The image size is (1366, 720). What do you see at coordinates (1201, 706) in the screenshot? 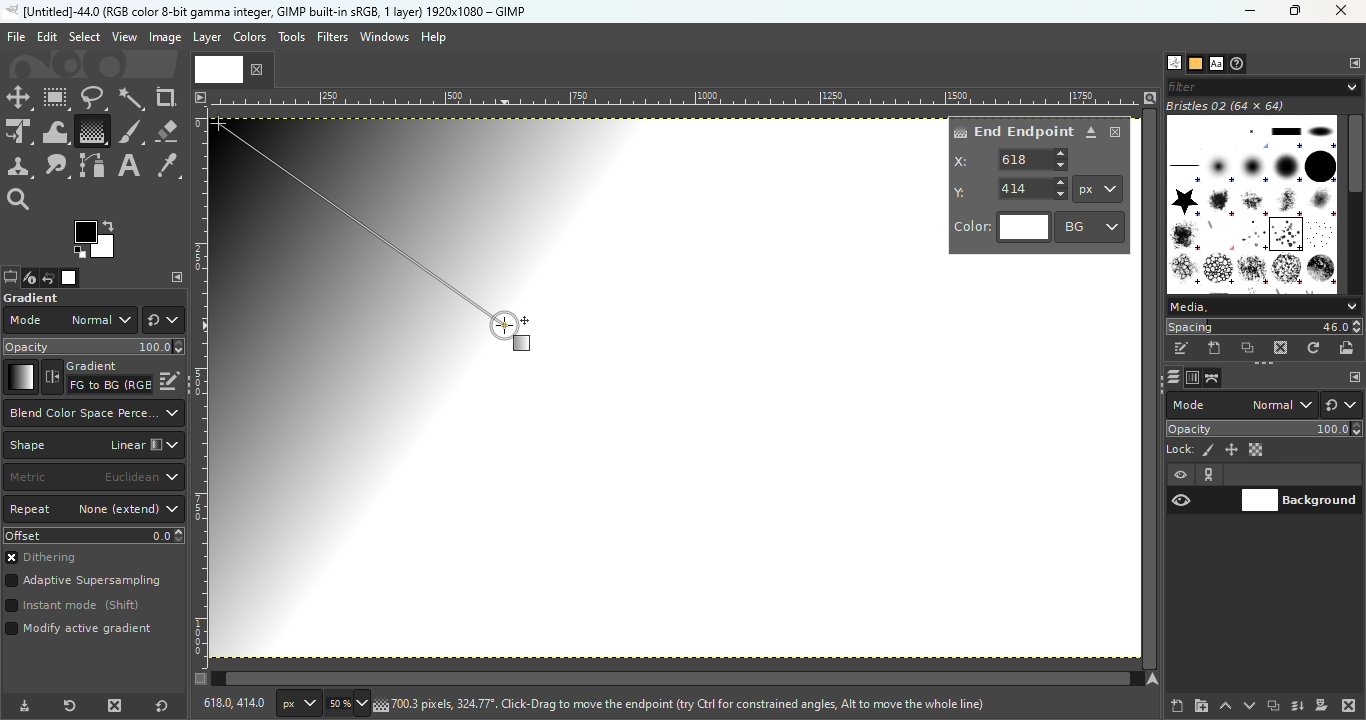
I see `Create a new layer group and add it to the image` at bounding box center [1201, 706].